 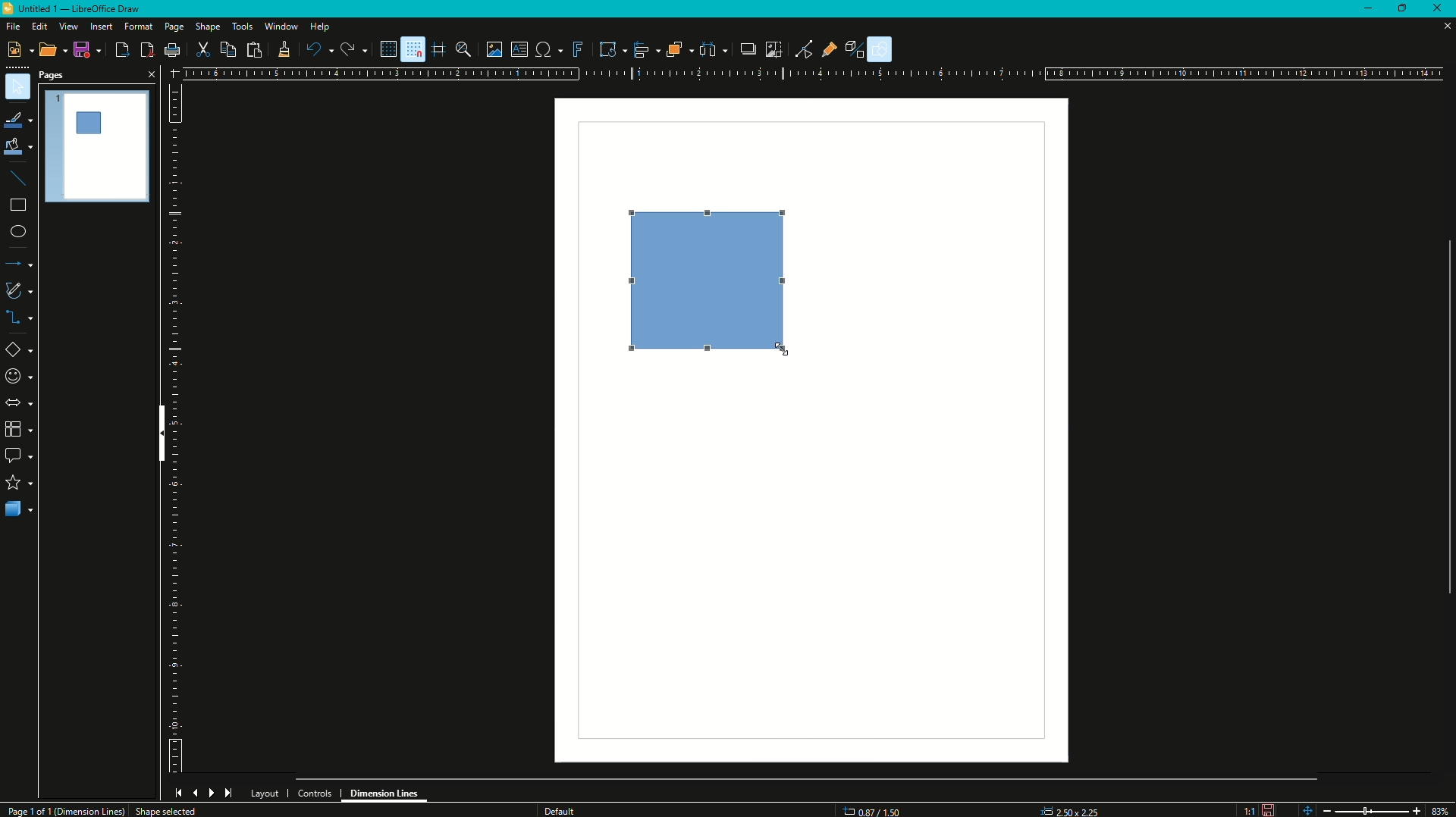 What do you see at coordinates (48, 51) in the screenshot?
I see `Open` at bounding box center [48, 51].